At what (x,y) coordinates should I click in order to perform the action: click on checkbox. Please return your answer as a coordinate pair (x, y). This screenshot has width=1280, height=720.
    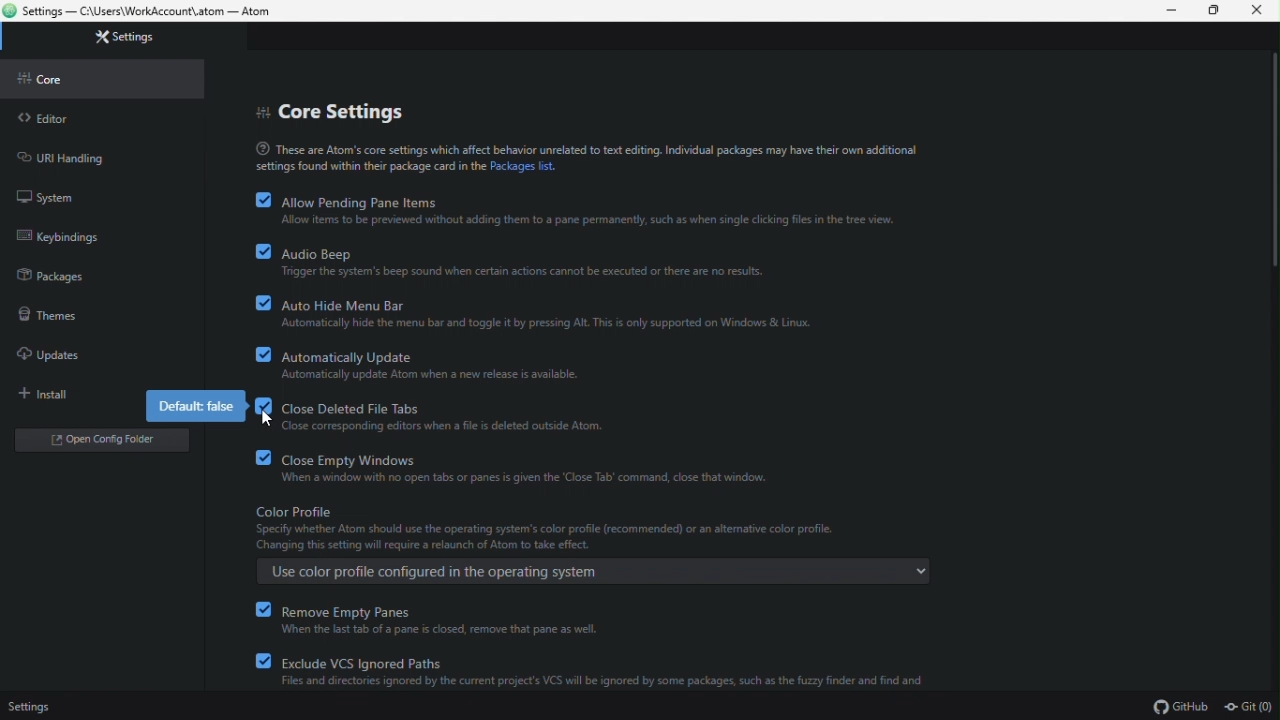
    Looking at the image, I should click on (260, 661).